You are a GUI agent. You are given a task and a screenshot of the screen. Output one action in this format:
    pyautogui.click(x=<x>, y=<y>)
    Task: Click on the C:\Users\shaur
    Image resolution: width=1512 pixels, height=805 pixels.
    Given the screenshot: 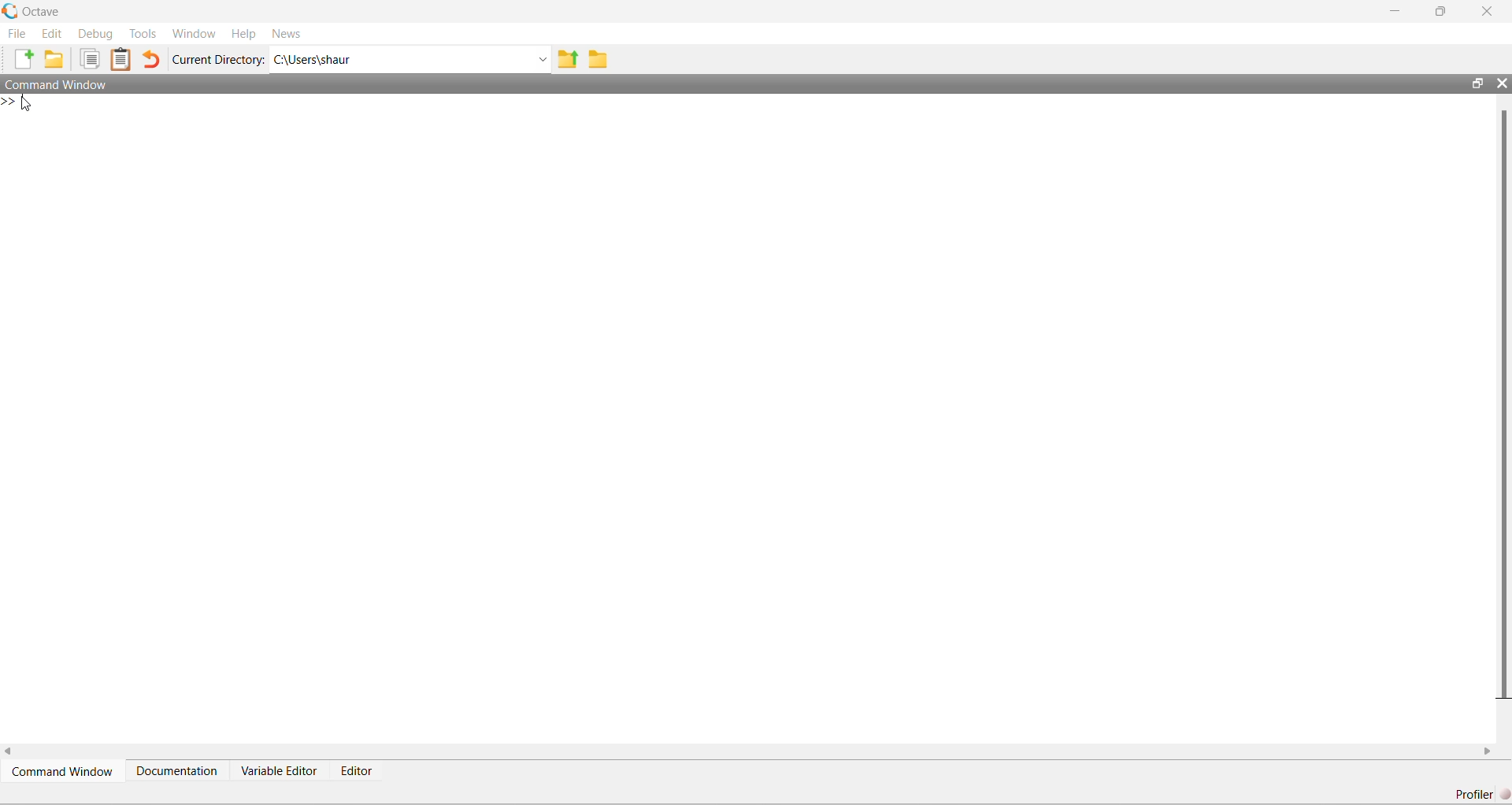 What is the action you would take?
    pyautogui.click(x=313, y=60)
    